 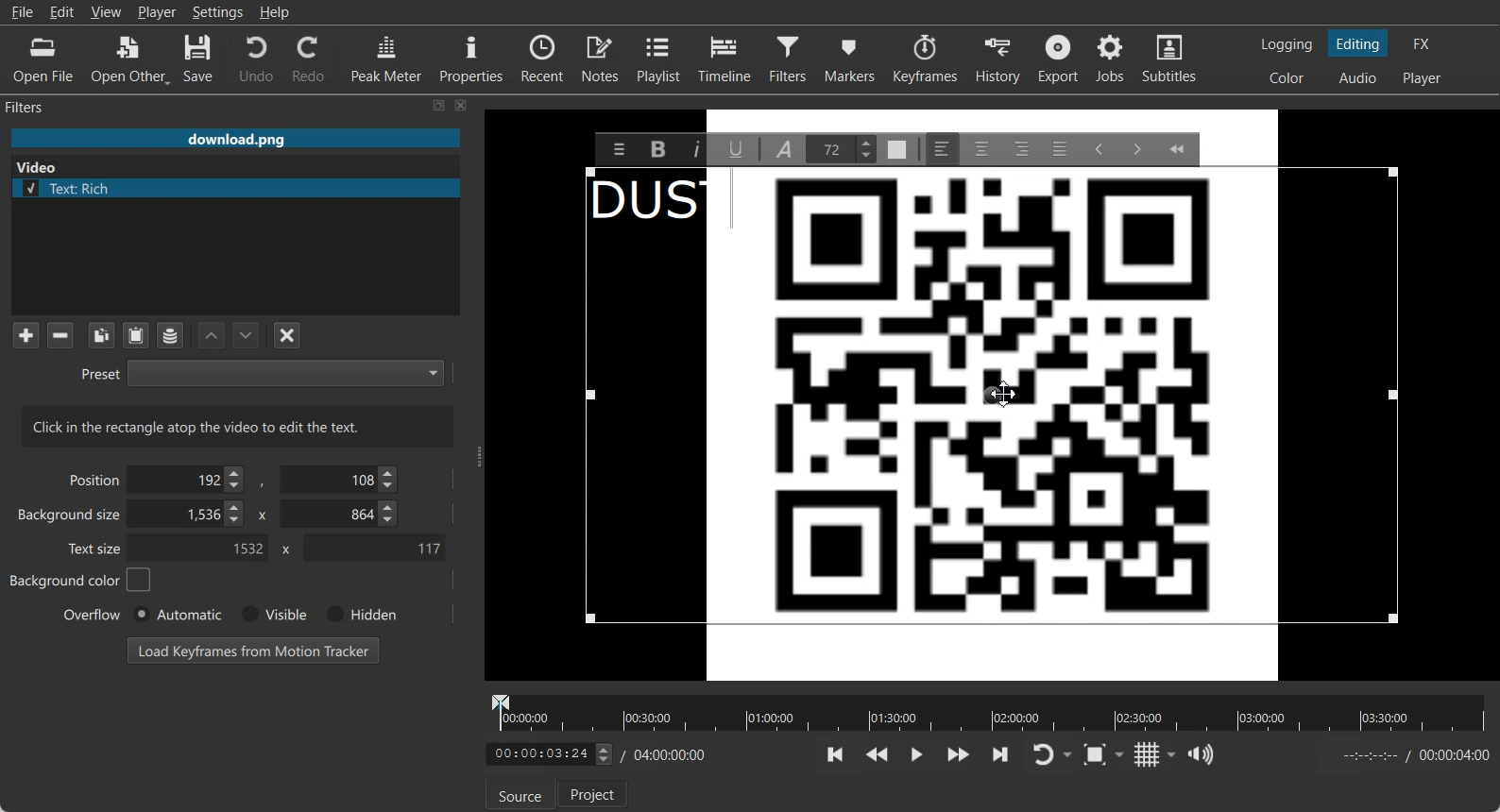 I want to click on Visible, so click(x=272, y=615).